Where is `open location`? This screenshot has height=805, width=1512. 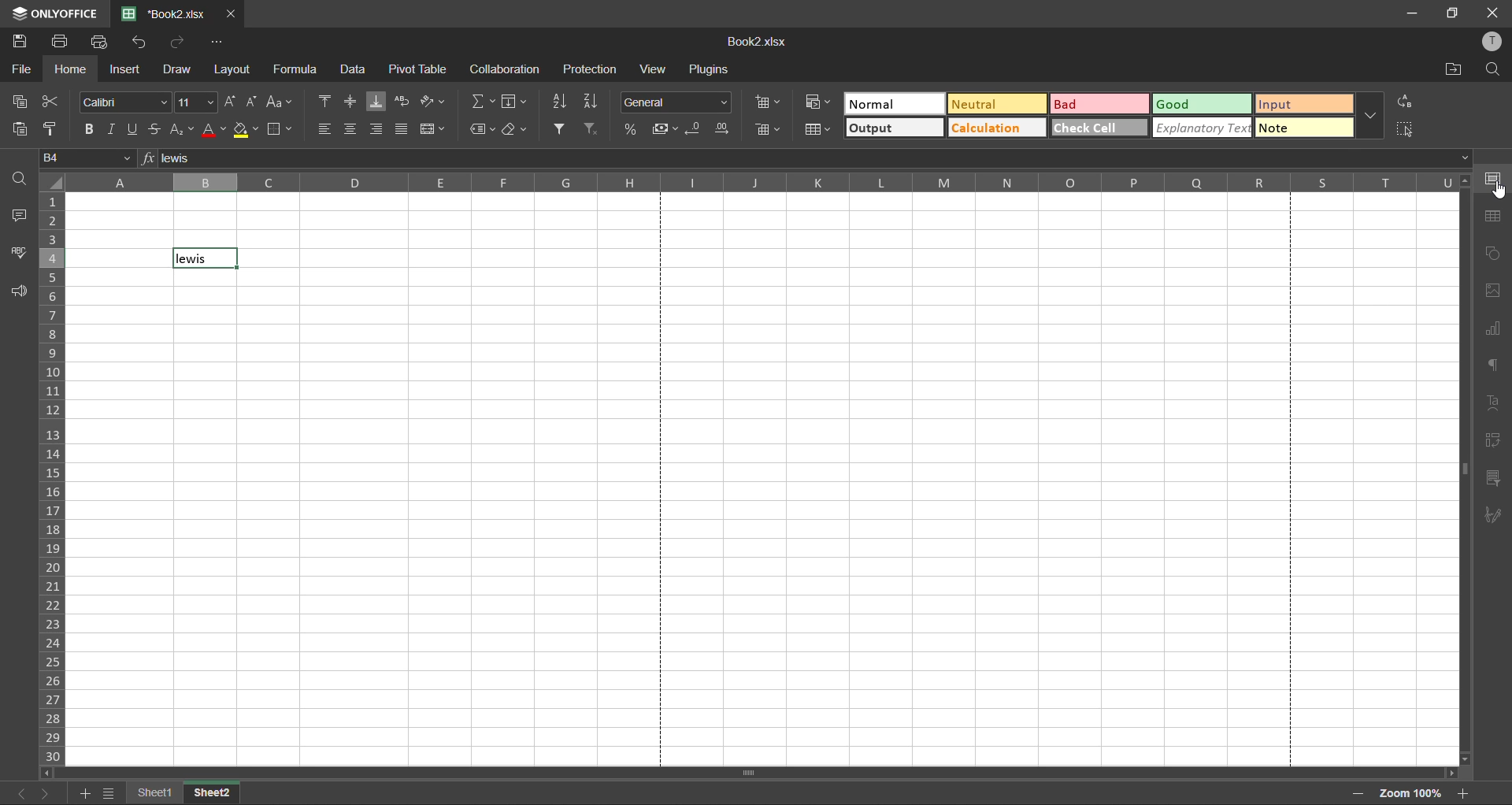
open location is located at coordinates (1454, 71).